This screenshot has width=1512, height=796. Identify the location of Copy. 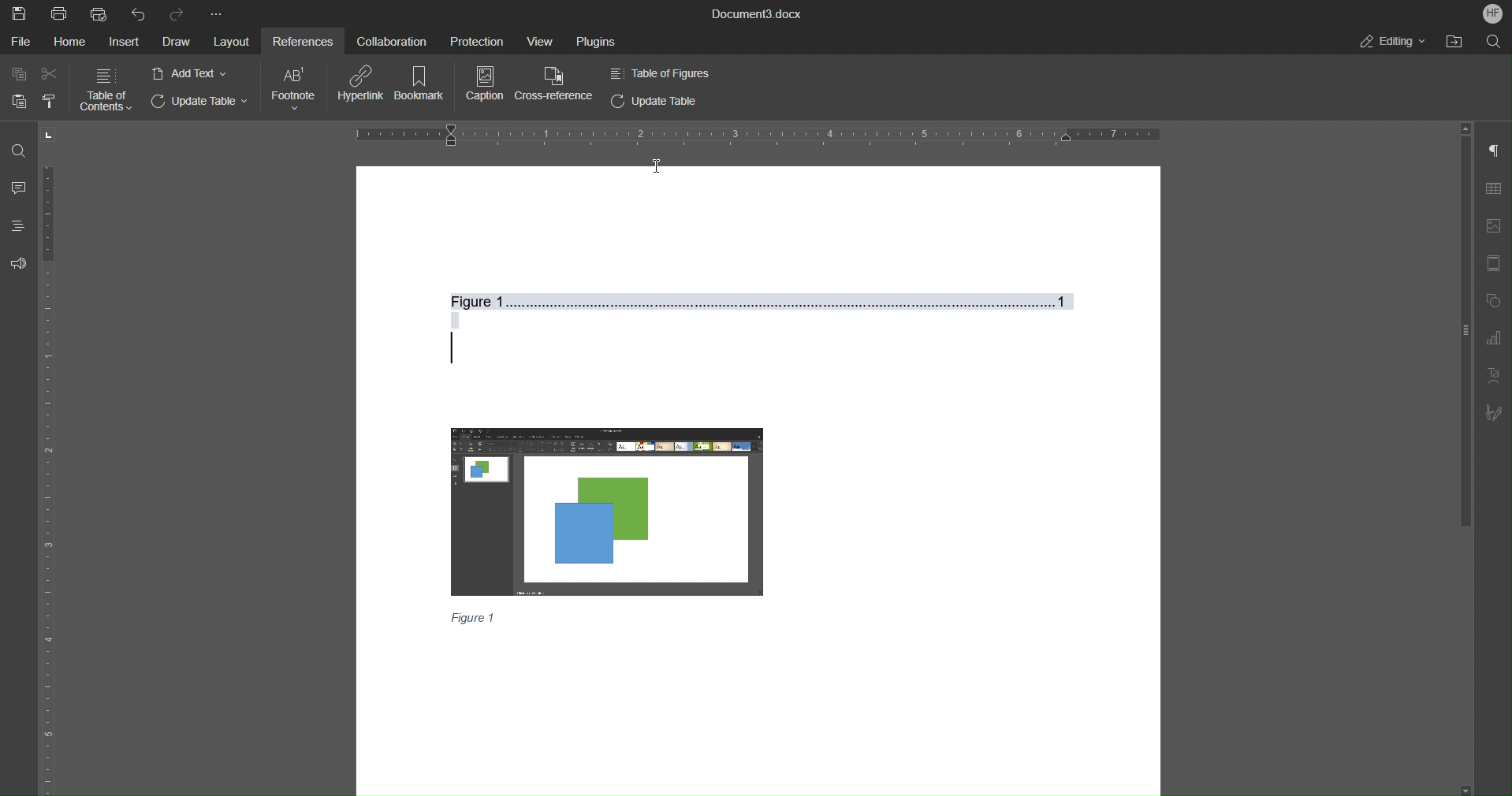
(20, 74).